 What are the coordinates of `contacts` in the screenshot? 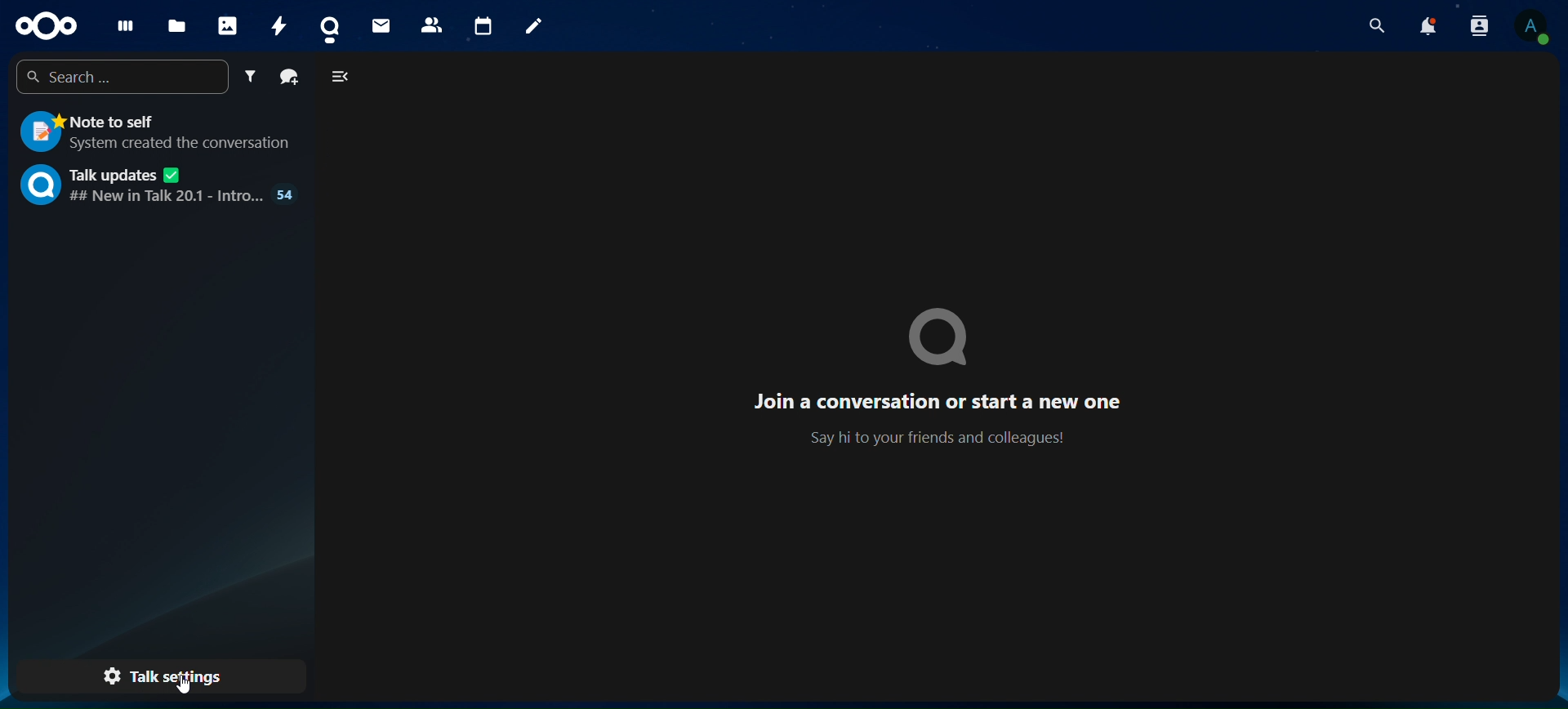 It's located at (432, 24).